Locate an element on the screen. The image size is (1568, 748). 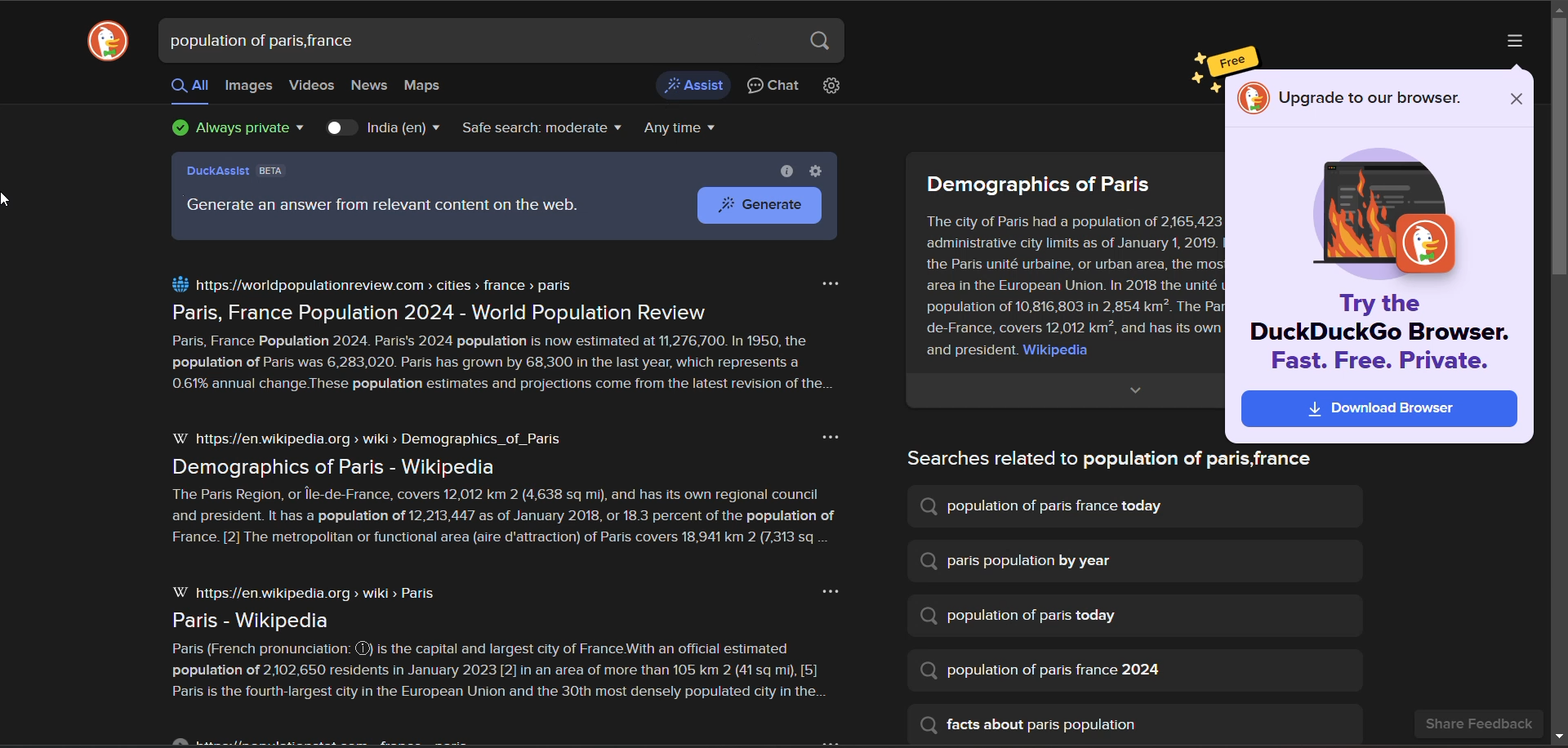
Demographics of Paris - Wikipedia is located at coordinates (326, 467).